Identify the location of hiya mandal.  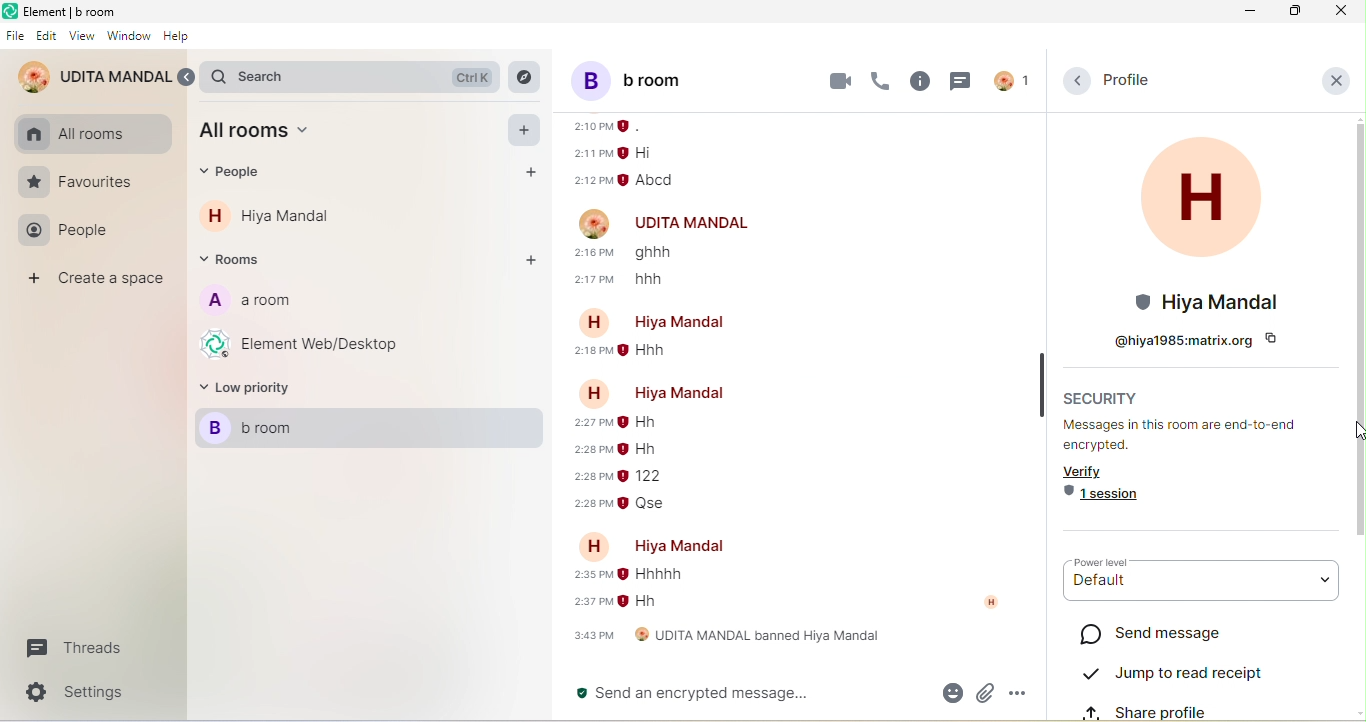
(289, 216).